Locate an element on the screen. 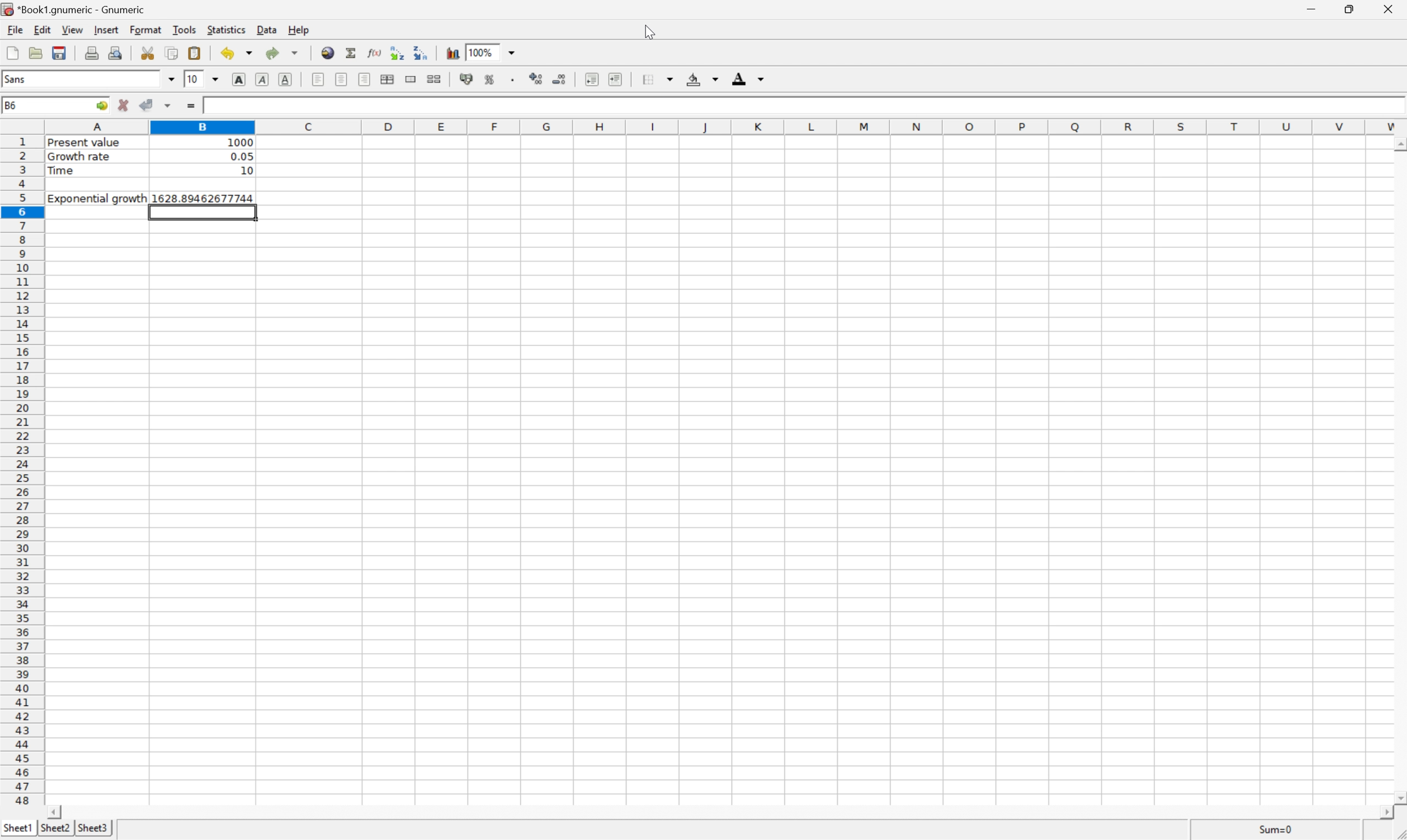 The width and height of the screenshot is (1407, 840). 10 is located at coordinates (243, 172).